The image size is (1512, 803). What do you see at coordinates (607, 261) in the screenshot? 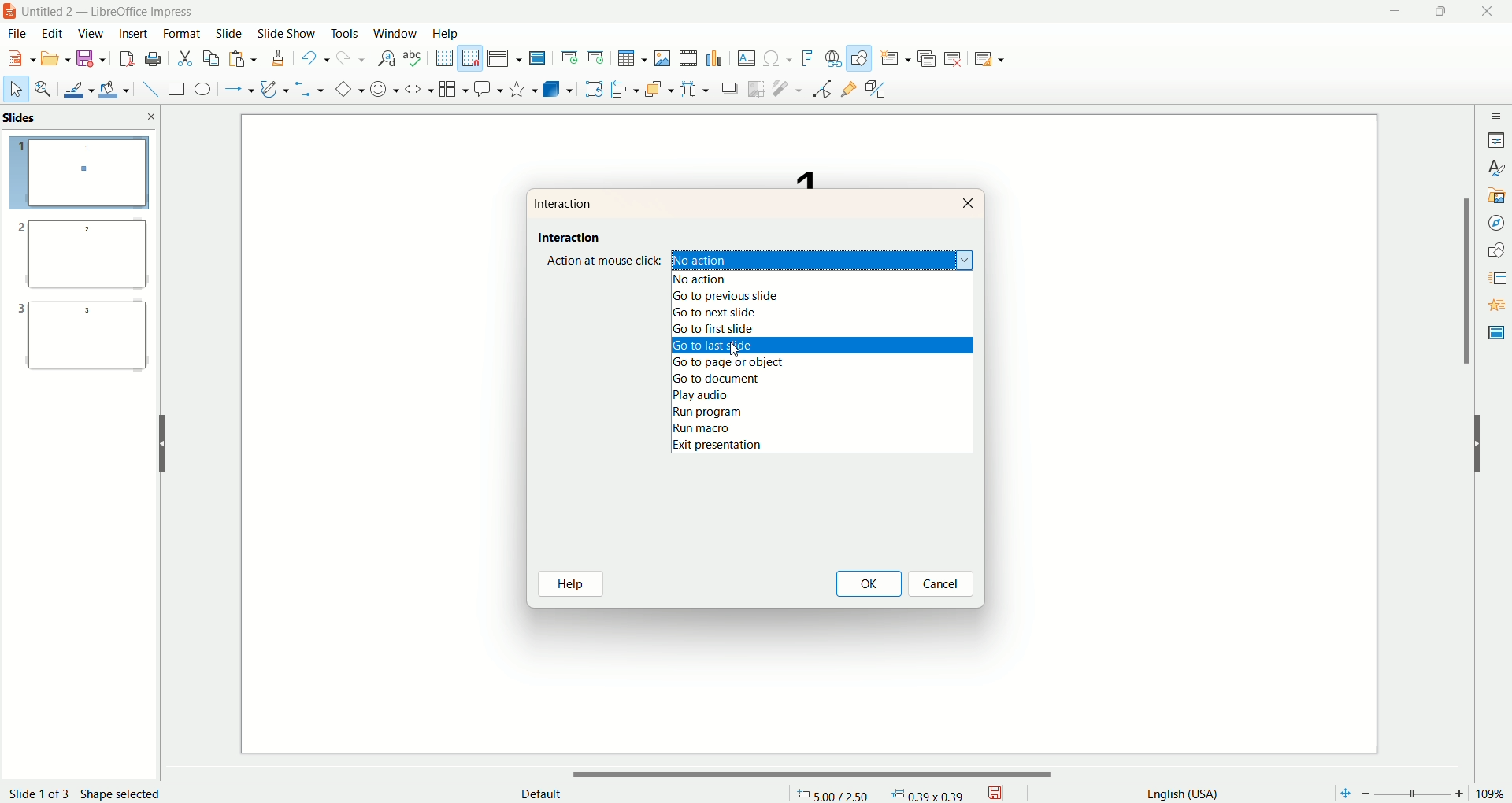
I see `action at mouse click` at bounding box center [607, 261].